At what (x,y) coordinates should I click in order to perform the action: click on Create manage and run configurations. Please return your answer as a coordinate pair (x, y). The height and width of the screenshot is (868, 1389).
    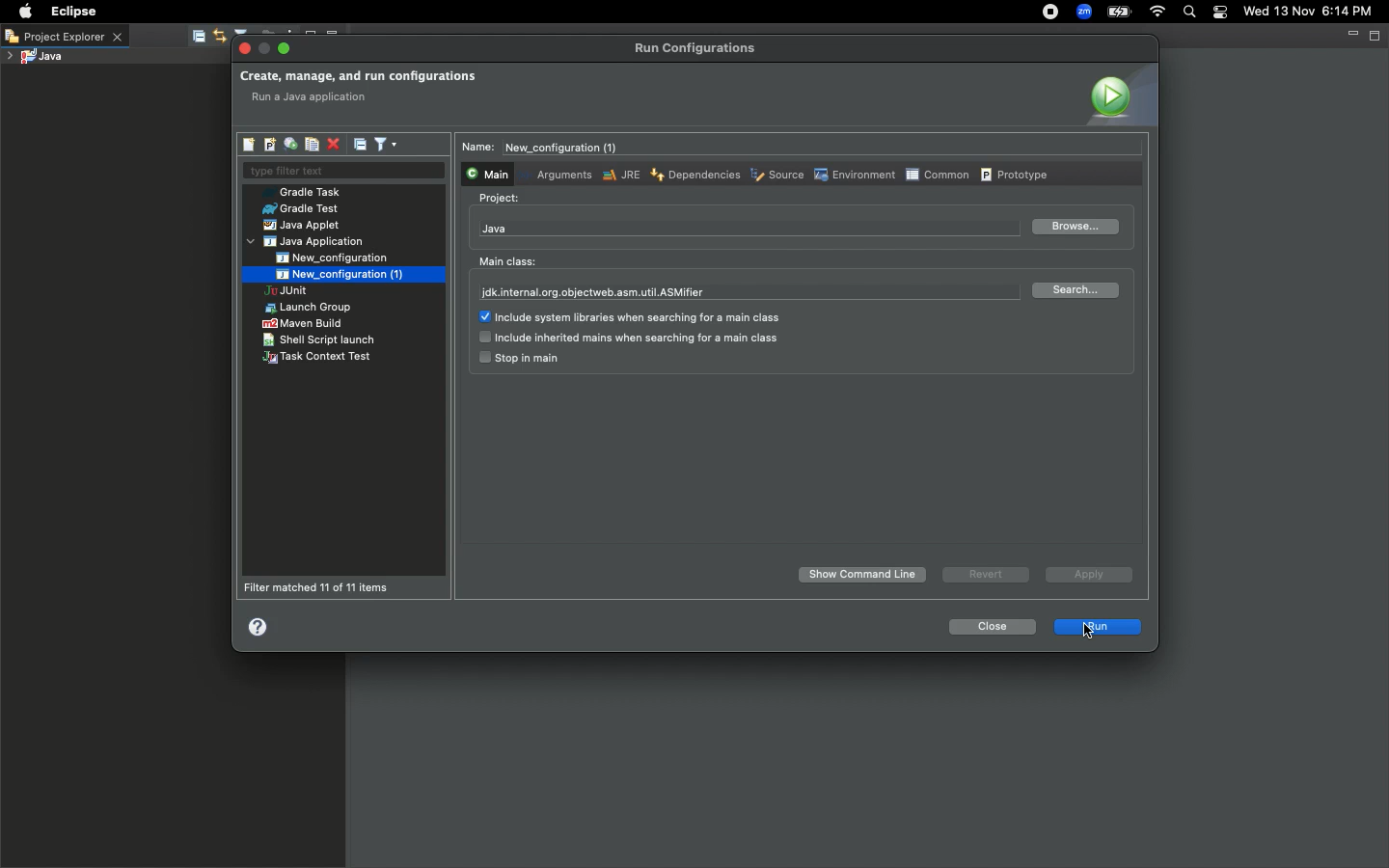
    Looking at the image, I should click on (358, 77).